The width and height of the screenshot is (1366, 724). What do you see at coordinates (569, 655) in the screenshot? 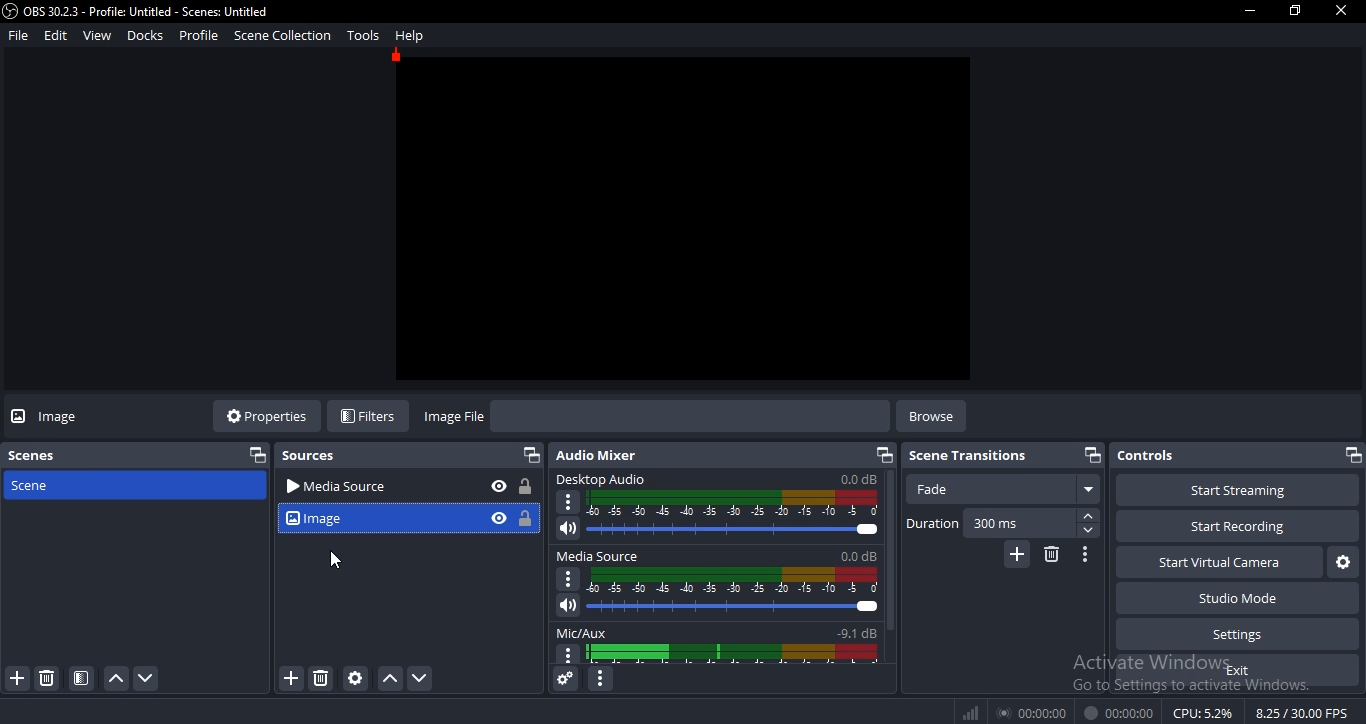
I see `options` at bounding box center [569, 655].